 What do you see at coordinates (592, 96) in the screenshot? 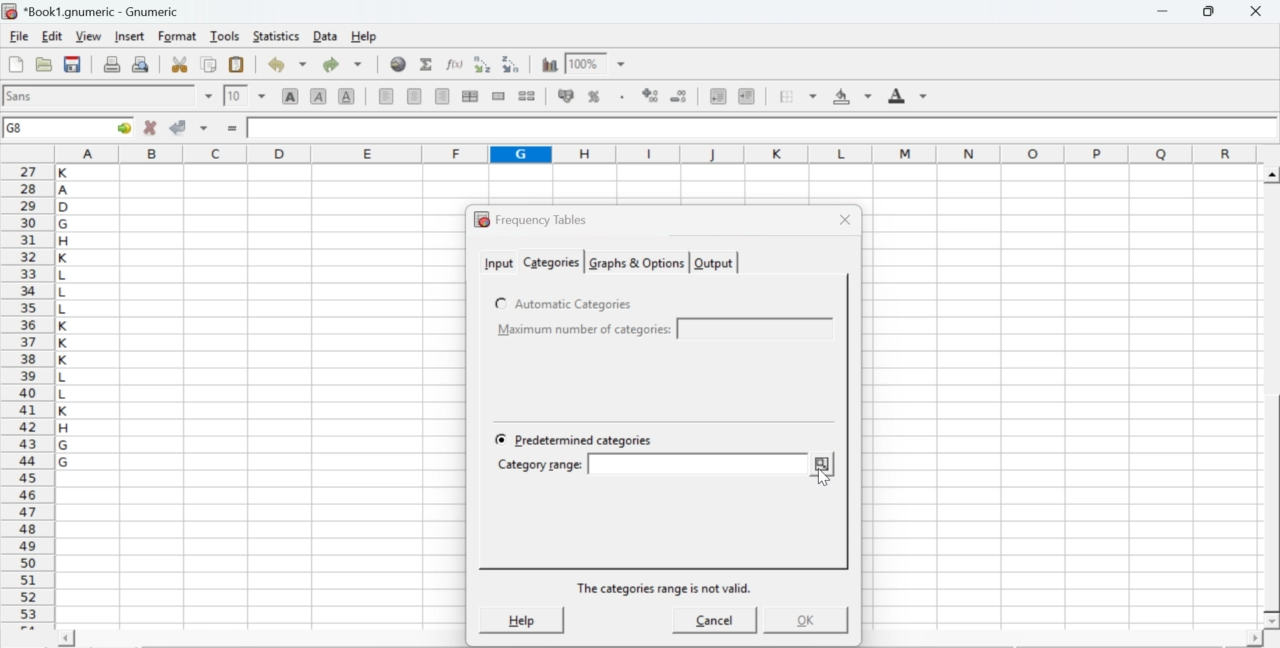
I see `format selection as percentage` at bounding box center [592, 96].